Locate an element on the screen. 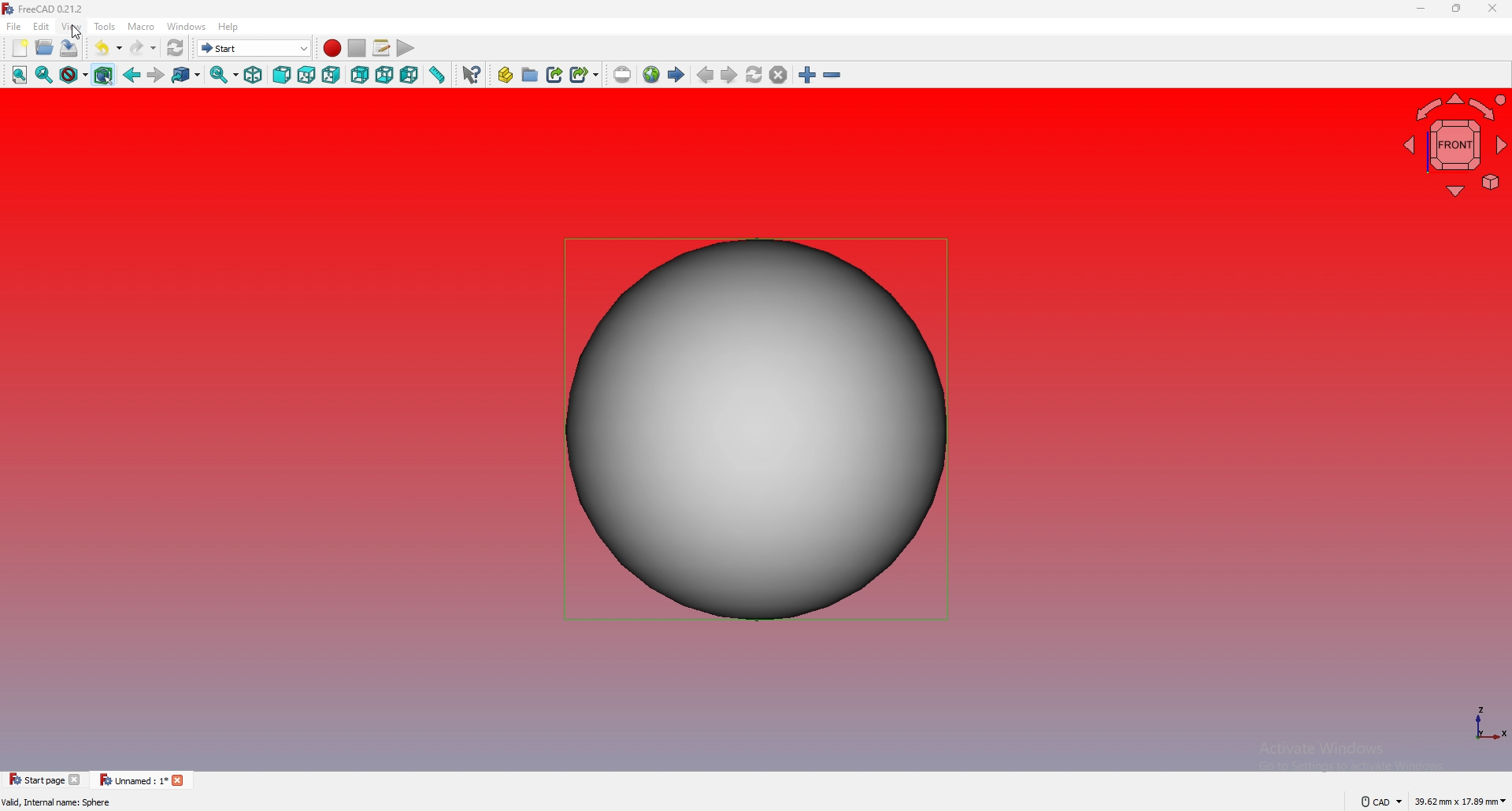 The width and height of the screenshot is (1512, 811). rear is located at coordinates (359, 74).